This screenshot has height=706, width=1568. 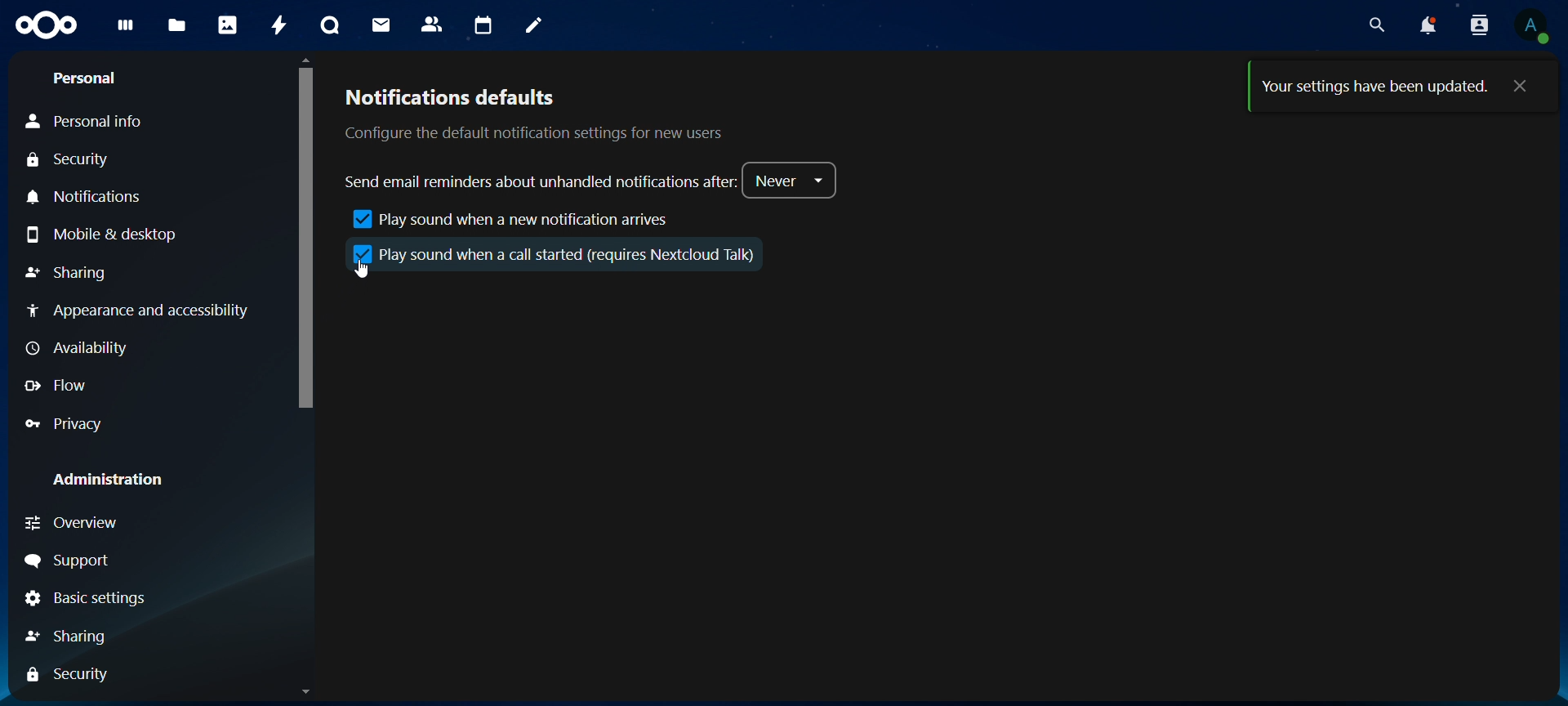 What do you see at coordinates (49, 25) in the screenshot?
I see `Icon` at bounding box center [49, 25].